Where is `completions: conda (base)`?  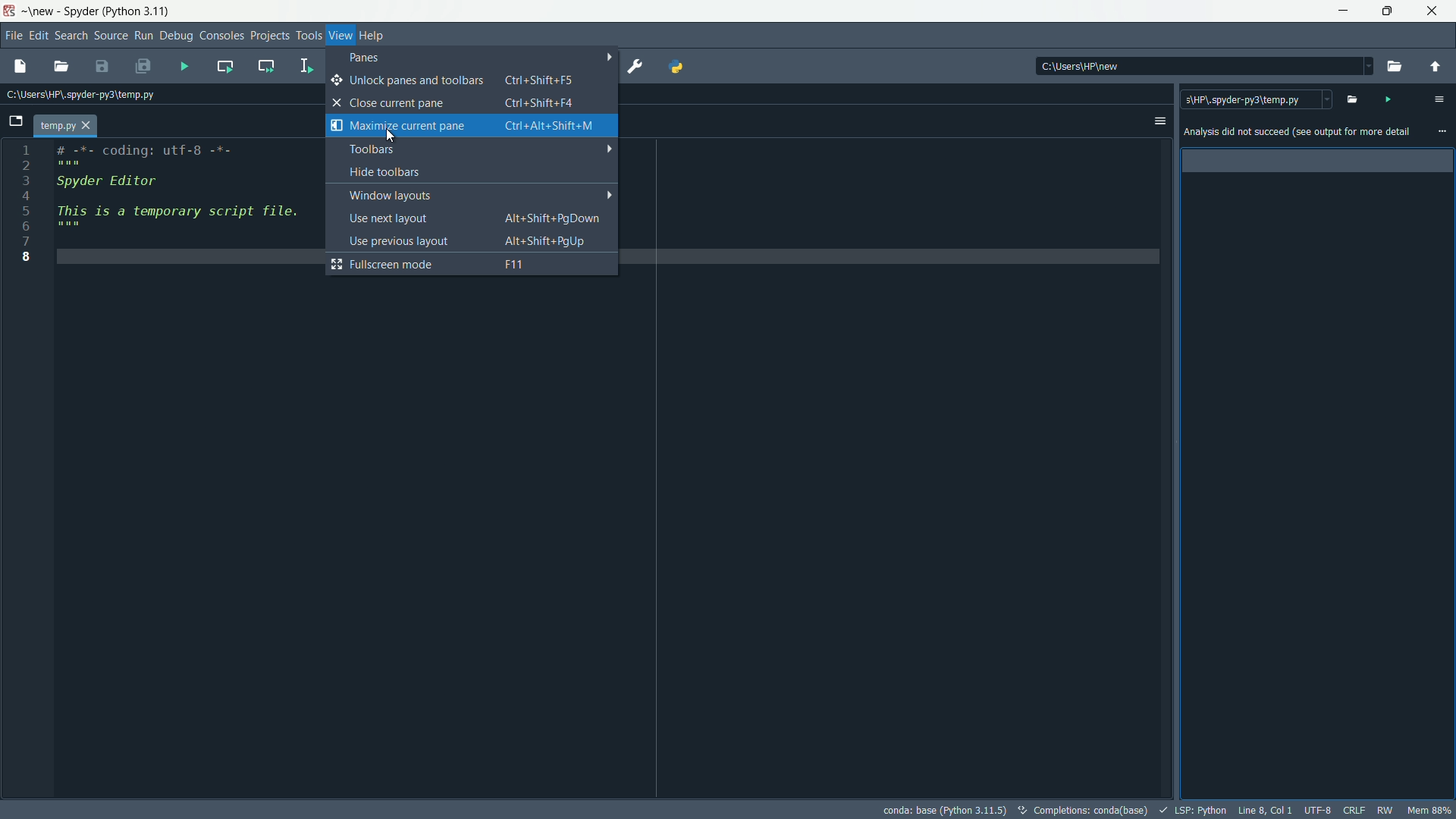
completions: conda (base) is located at coordinates (1080, 810).